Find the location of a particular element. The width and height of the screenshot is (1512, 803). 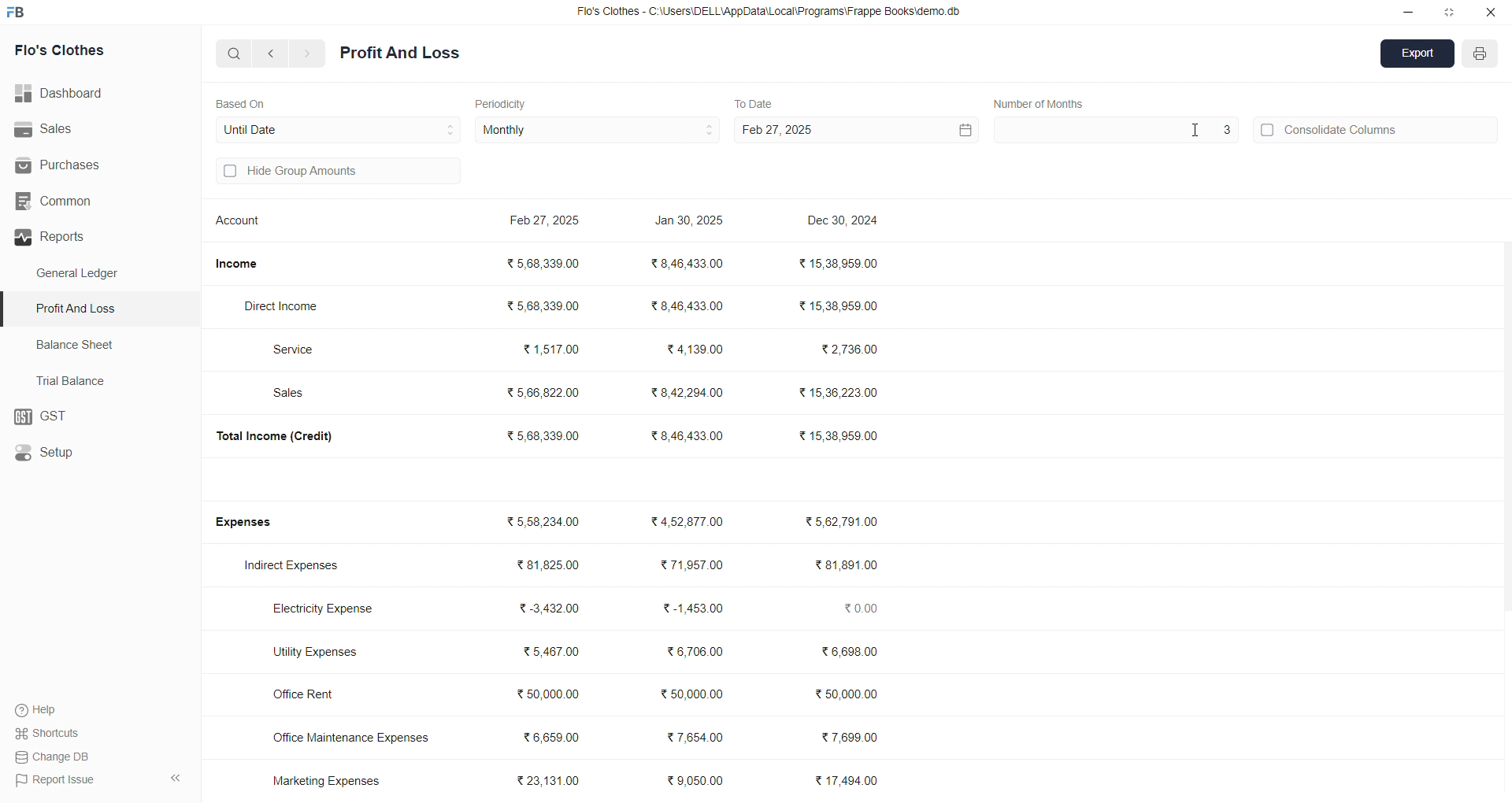

Purchases is located at coordinates (76, 165).